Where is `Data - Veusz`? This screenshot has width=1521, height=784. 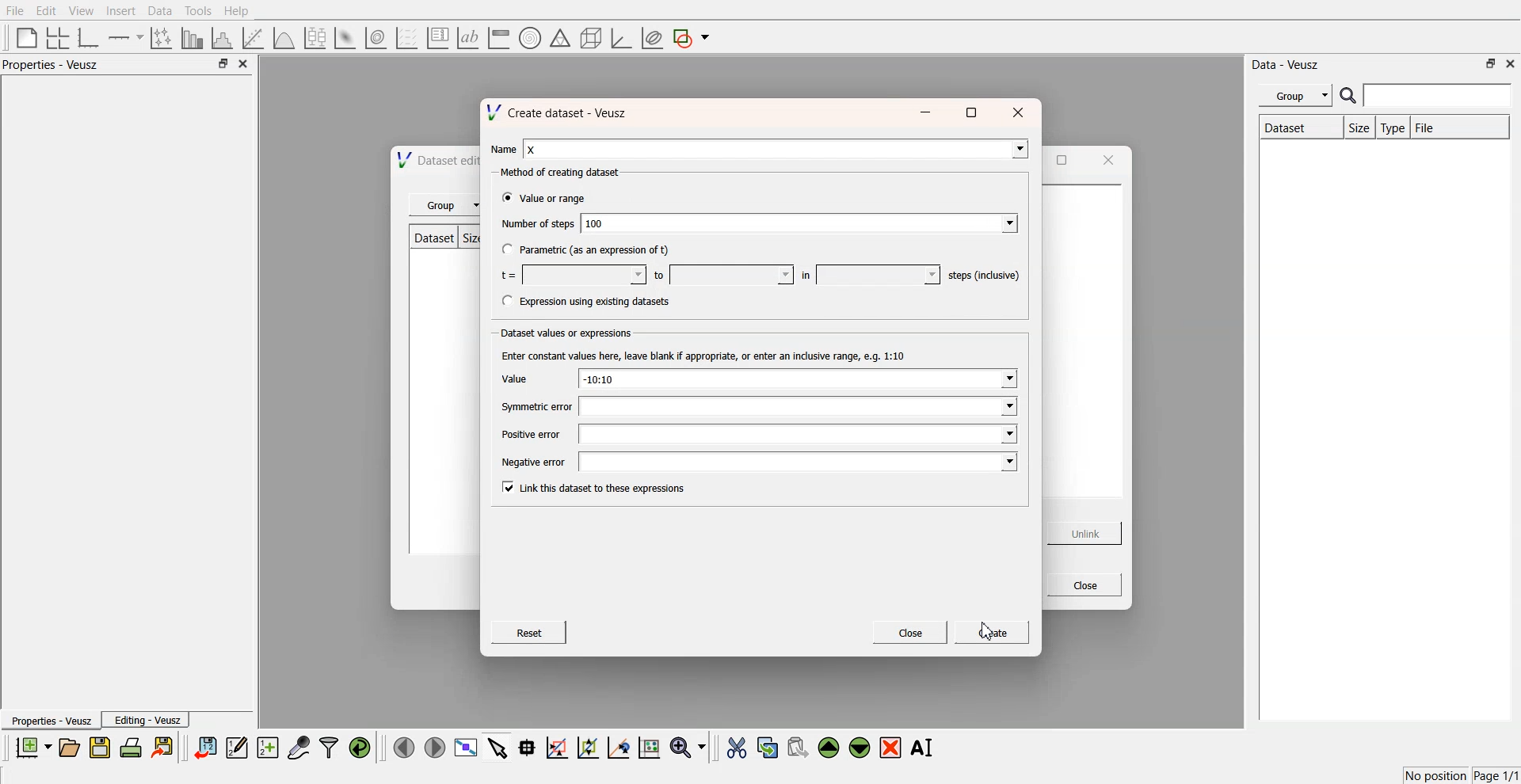 Data - Veusz is located at coordinates (1287, 65).